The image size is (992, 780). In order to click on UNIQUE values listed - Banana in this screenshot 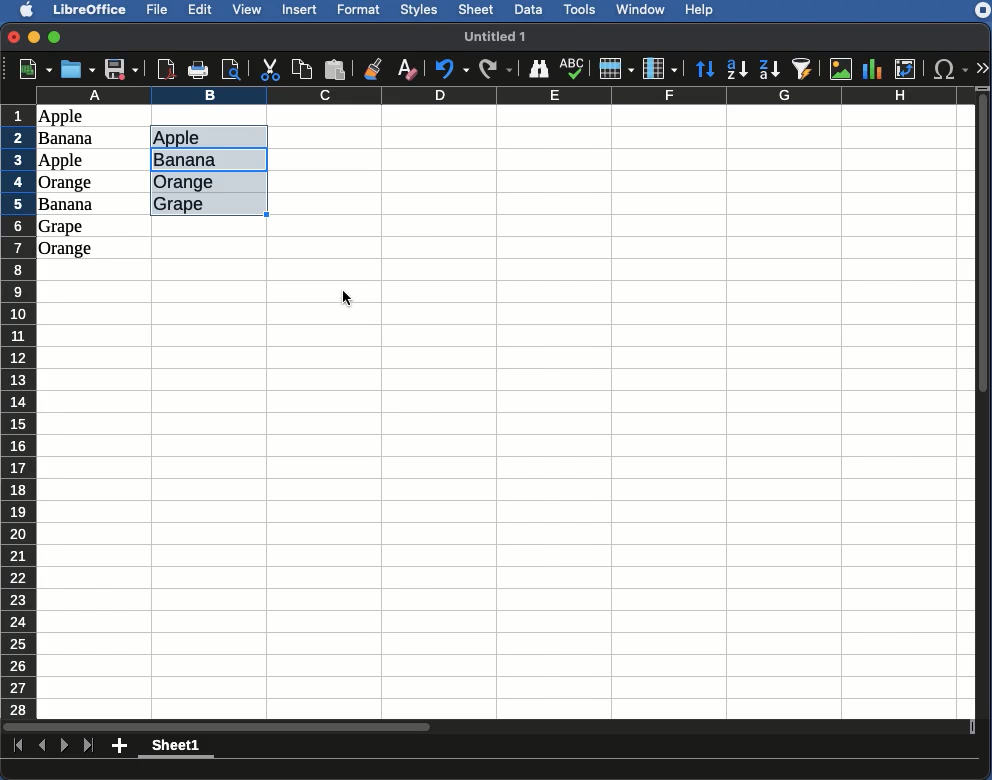, I will do `click(209, 160)`.